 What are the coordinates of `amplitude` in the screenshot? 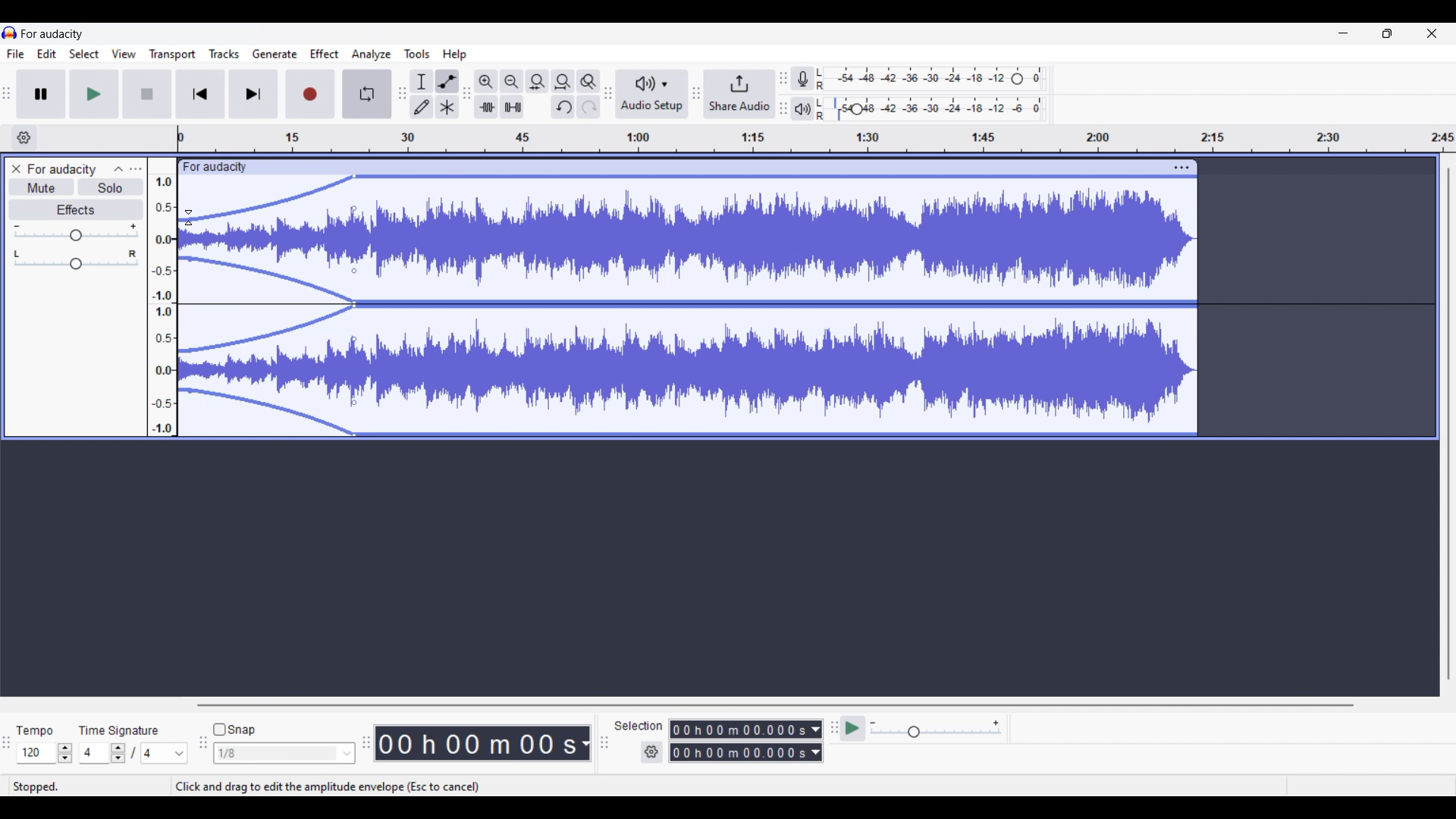 It's located at (163, 305).